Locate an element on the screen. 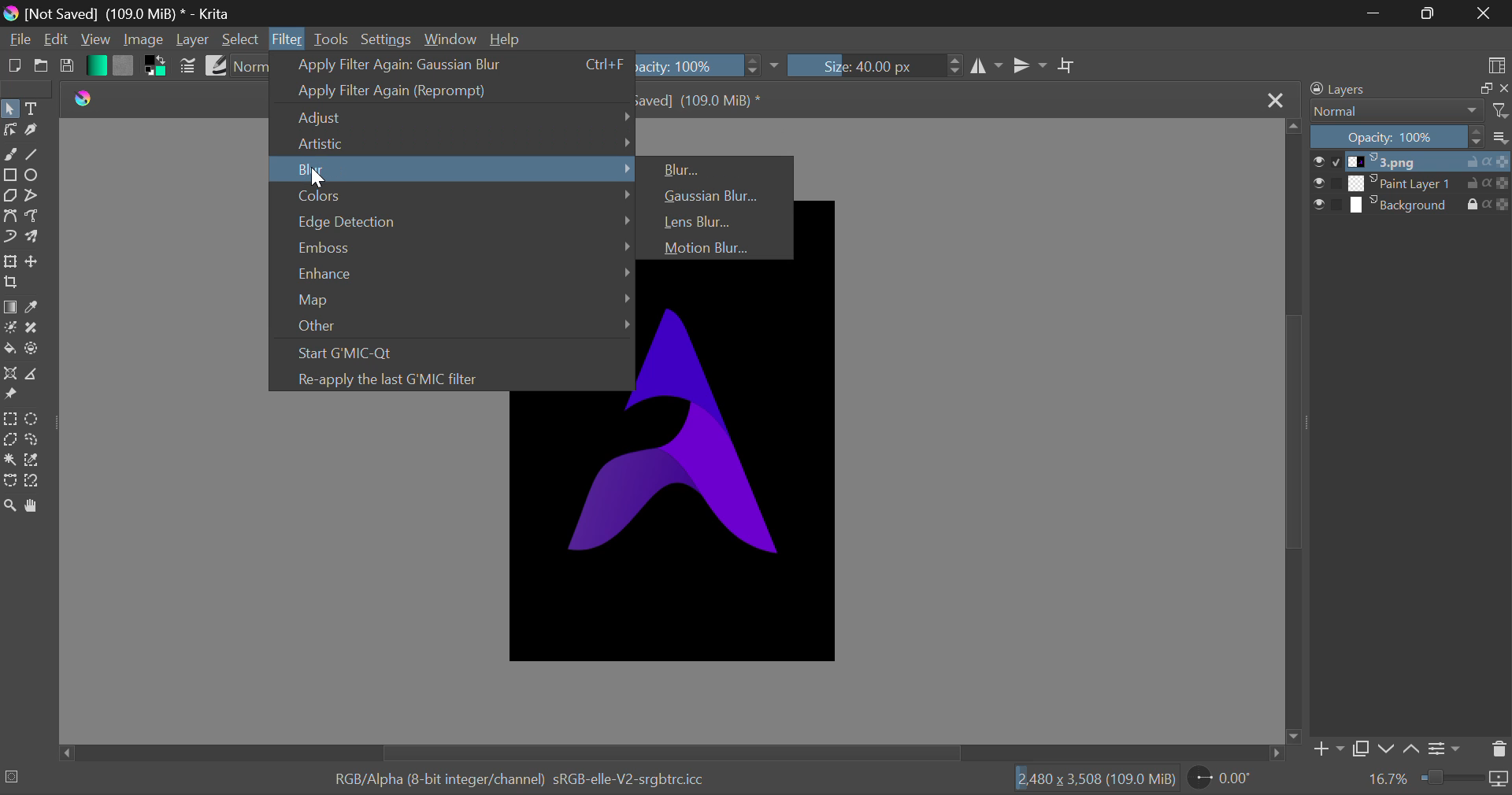 This screenshot has height=795, width=1512. Move Layer Up is located at coordinates (1413, 746).